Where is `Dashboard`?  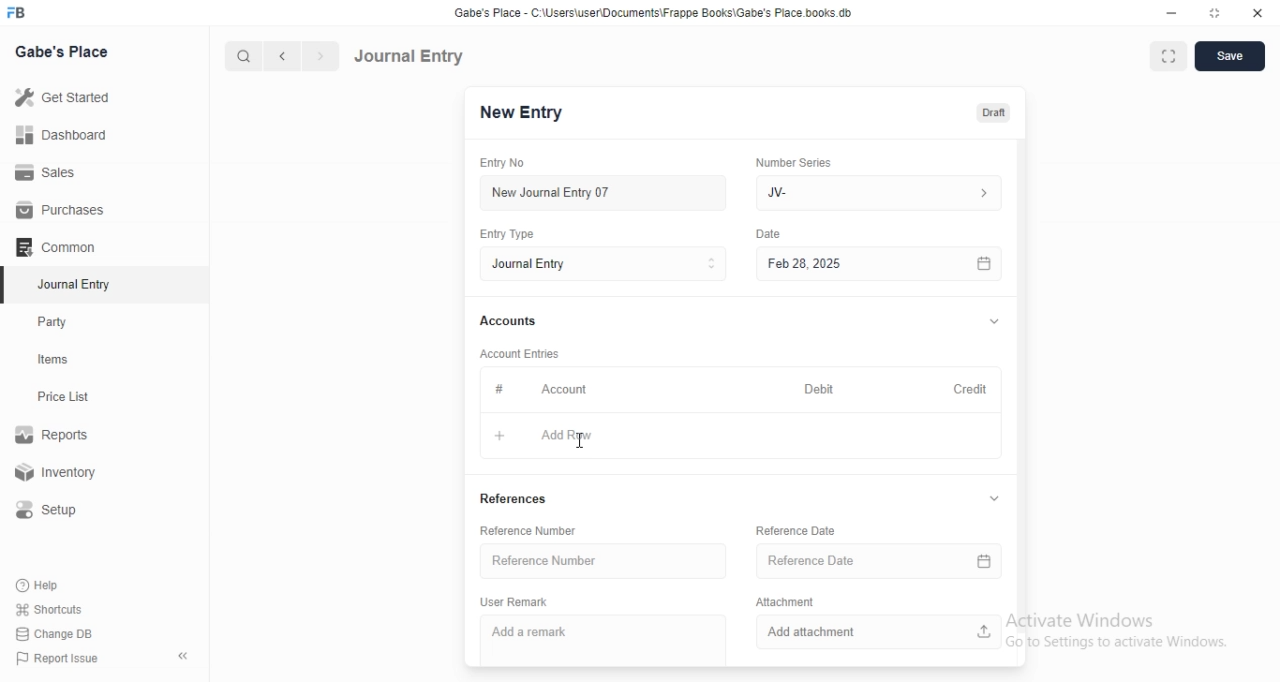 Dashboard is located at coordinates (59, 135).